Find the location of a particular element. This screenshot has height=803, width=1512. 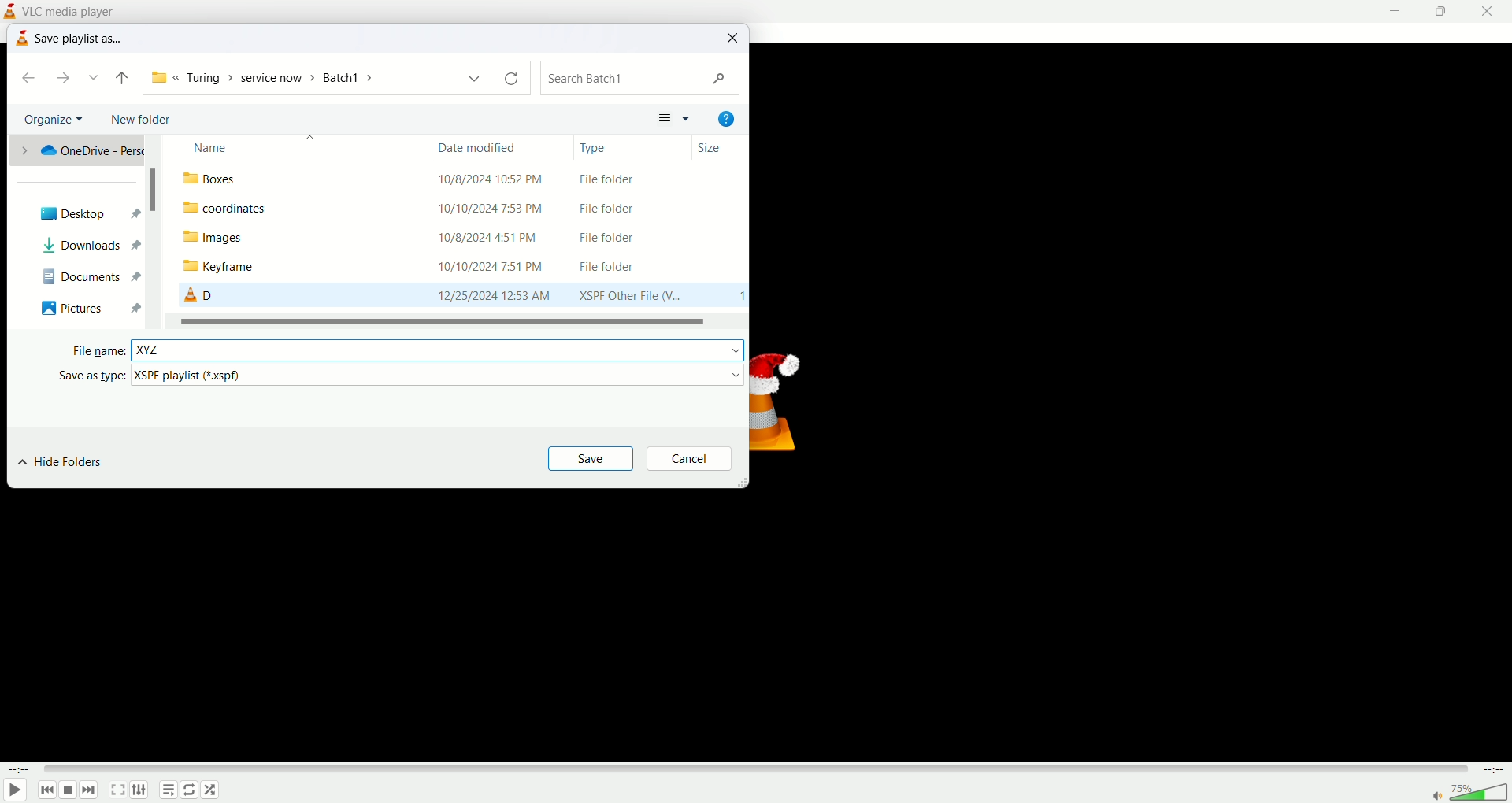

application icon is located at coordinates (13, 10).